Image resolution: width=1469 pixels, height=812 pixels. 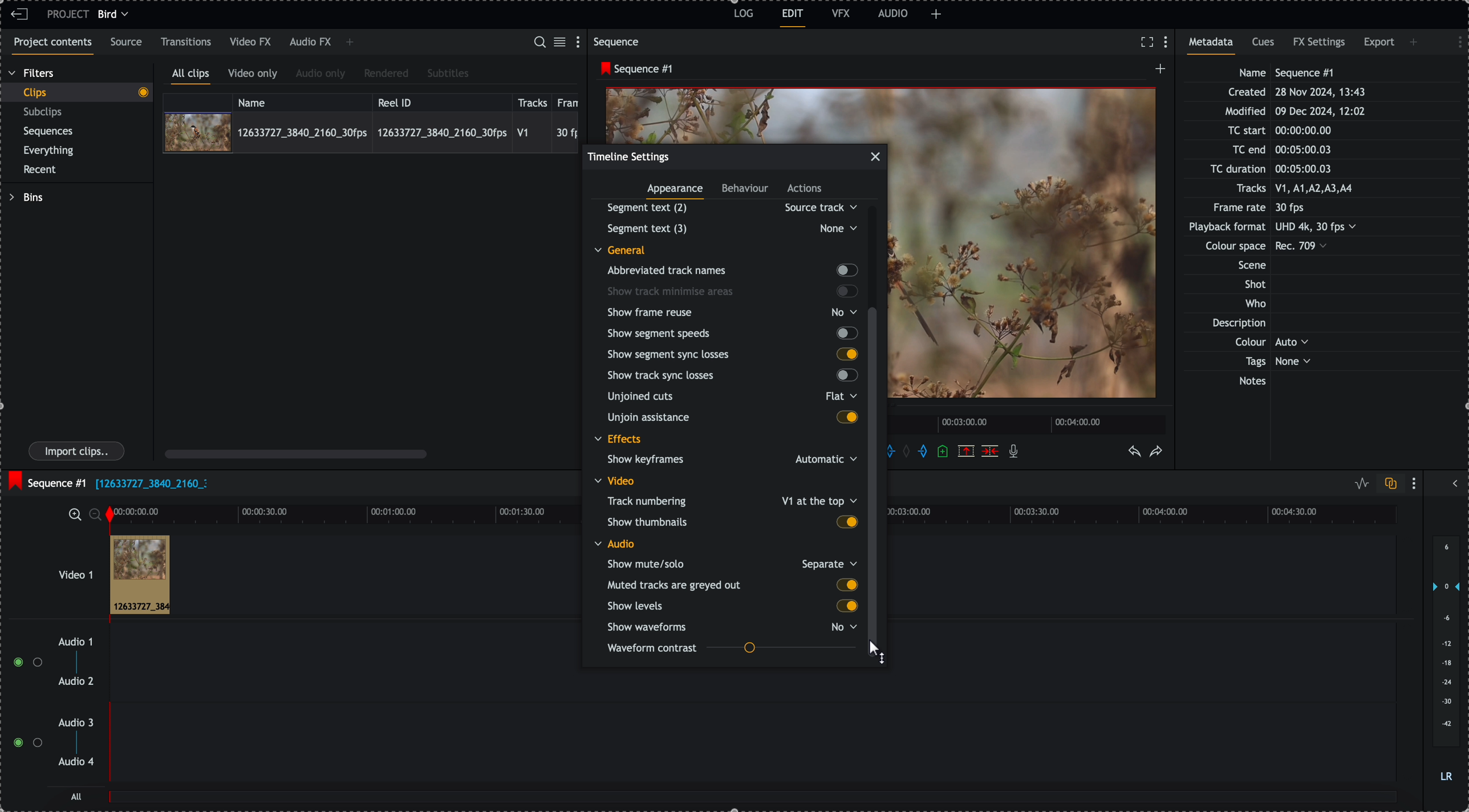 What do you see at coordinates (805, 189) in the screenshot?
I see `actions` at bounding box center [805, 189].